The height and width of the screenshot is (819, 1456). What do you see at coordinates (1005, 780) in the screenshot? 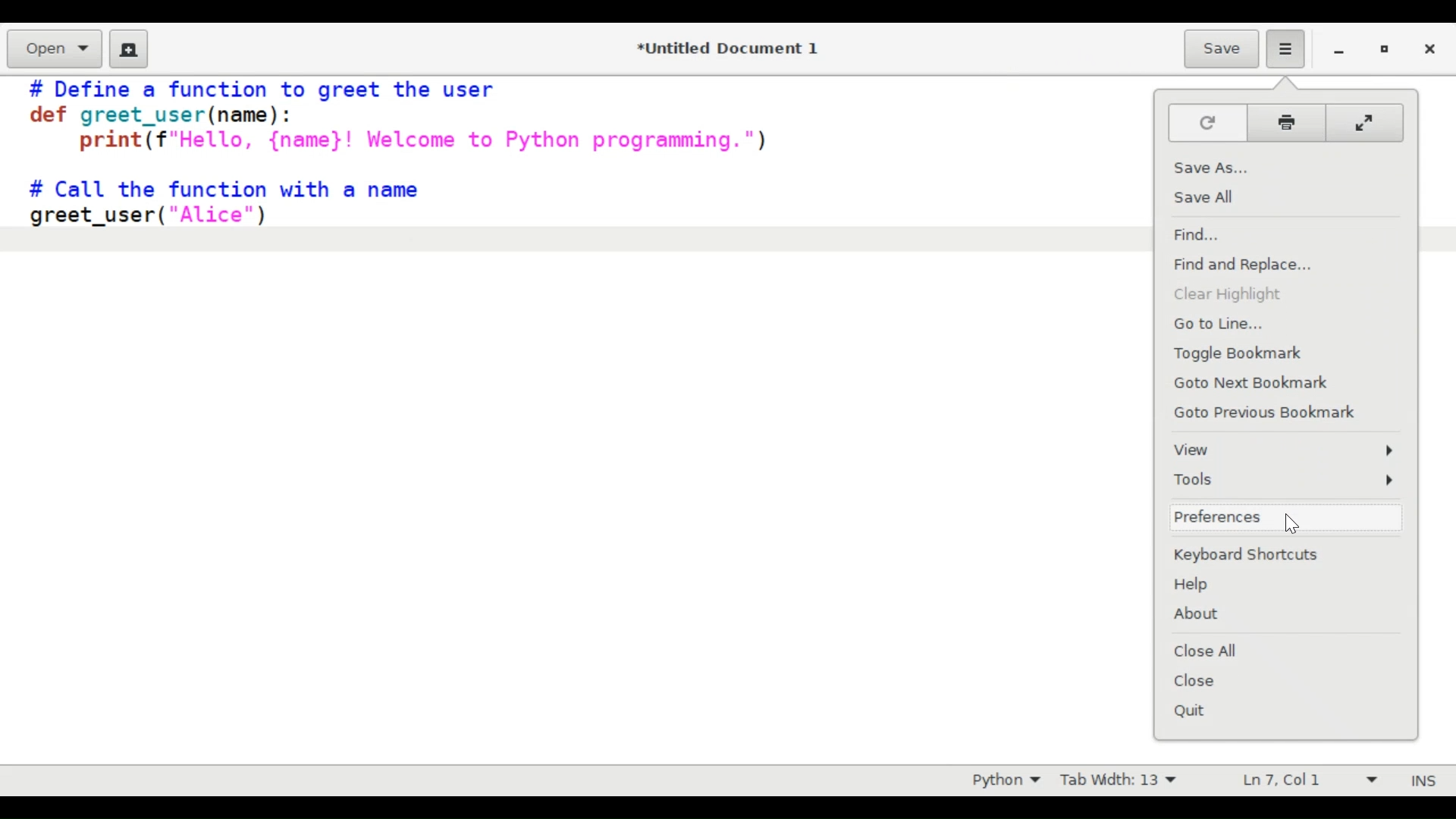
I see `Highlighting mode` at bounding box center [1005, 780].